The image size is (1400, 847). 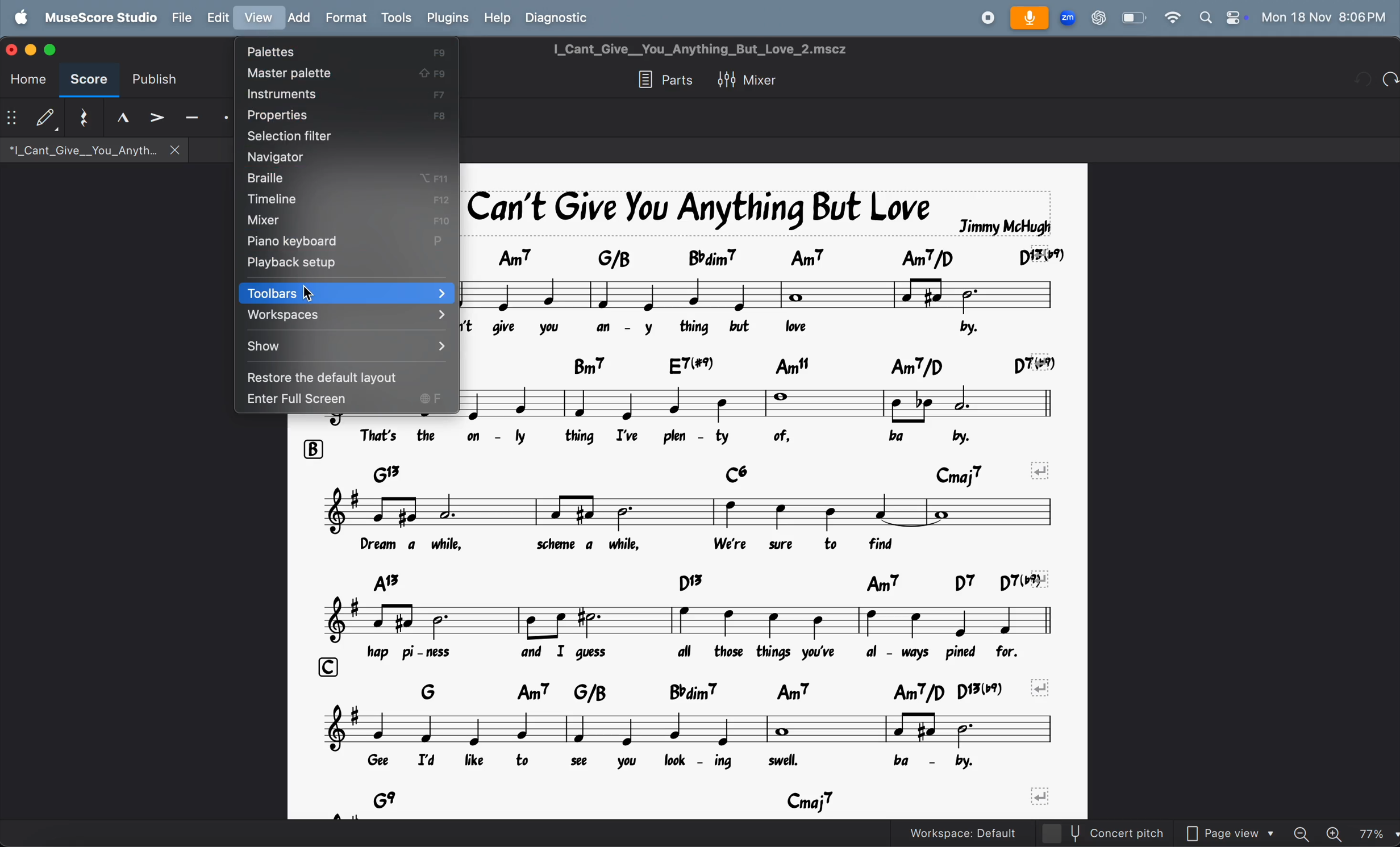 What do you see at coordinates (1069, 16) in the screenshot?
I see `zoom` at bounding box center [1069, 16].